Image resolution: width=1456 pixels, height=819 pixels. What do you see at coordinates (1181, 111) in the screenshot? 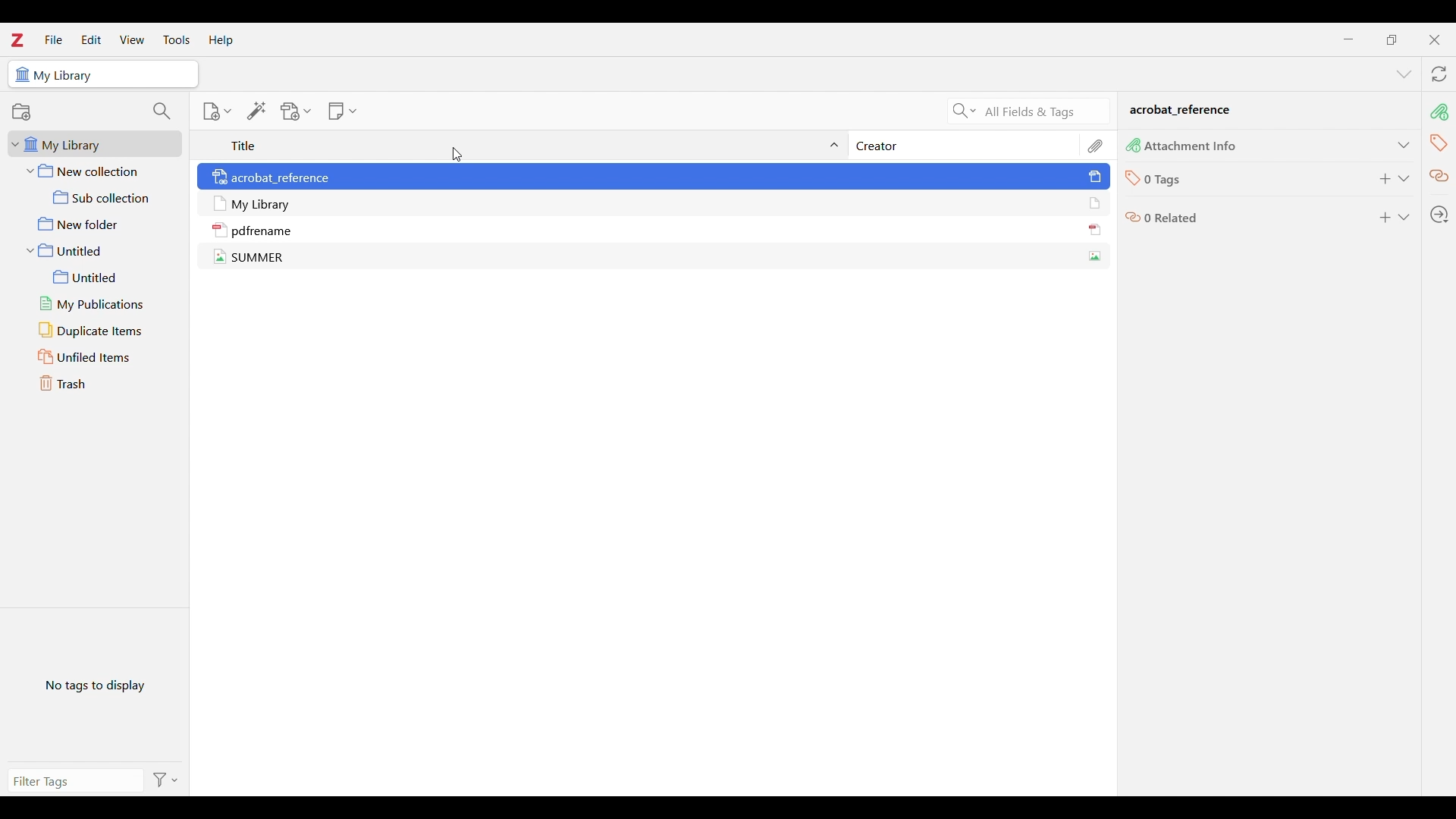
I see `acrobat _reference` at bounding box center [1181, 111].